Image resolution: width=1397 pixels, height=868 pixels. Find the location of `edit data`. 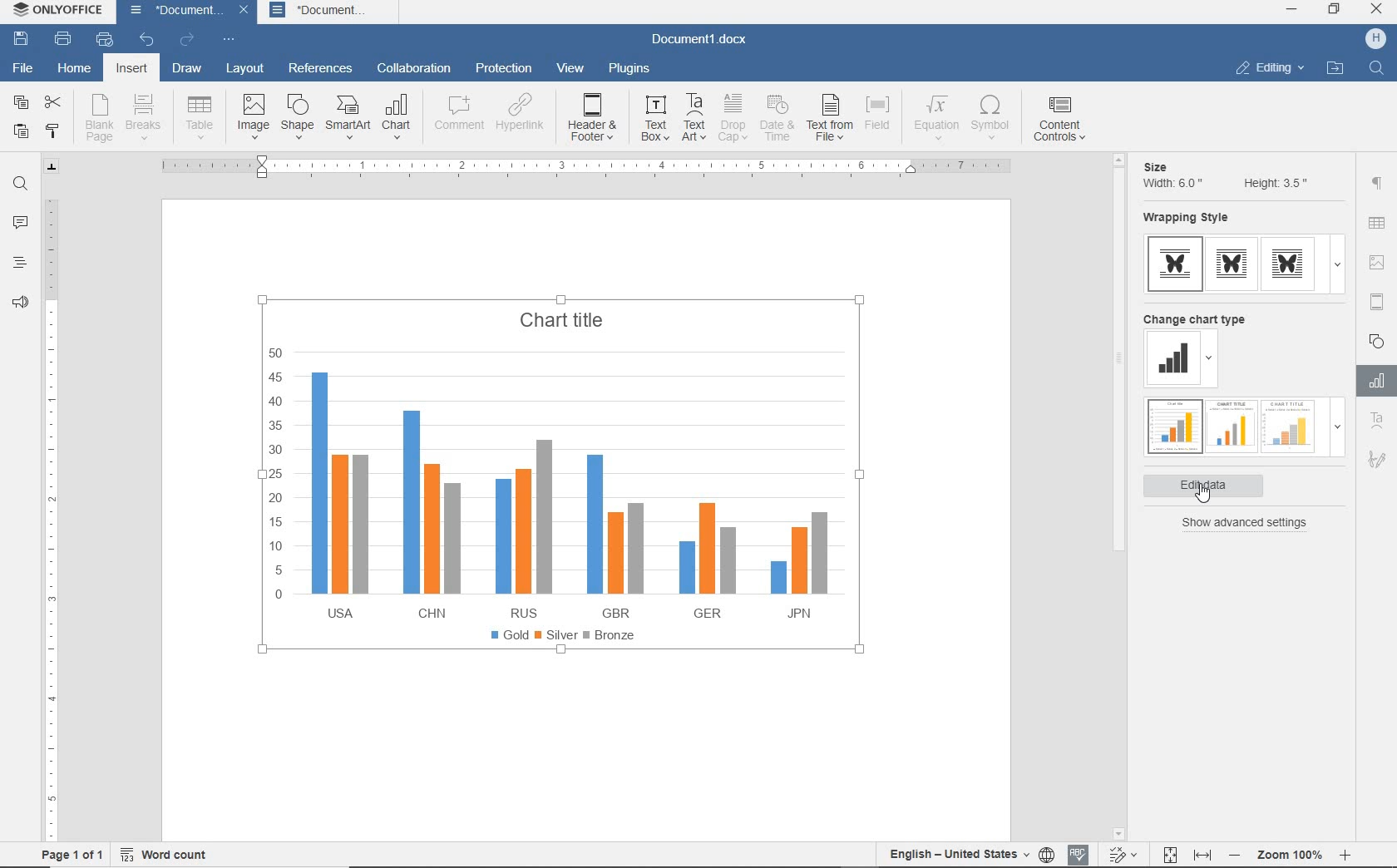

edit data is located at coordinates (1212, 486).